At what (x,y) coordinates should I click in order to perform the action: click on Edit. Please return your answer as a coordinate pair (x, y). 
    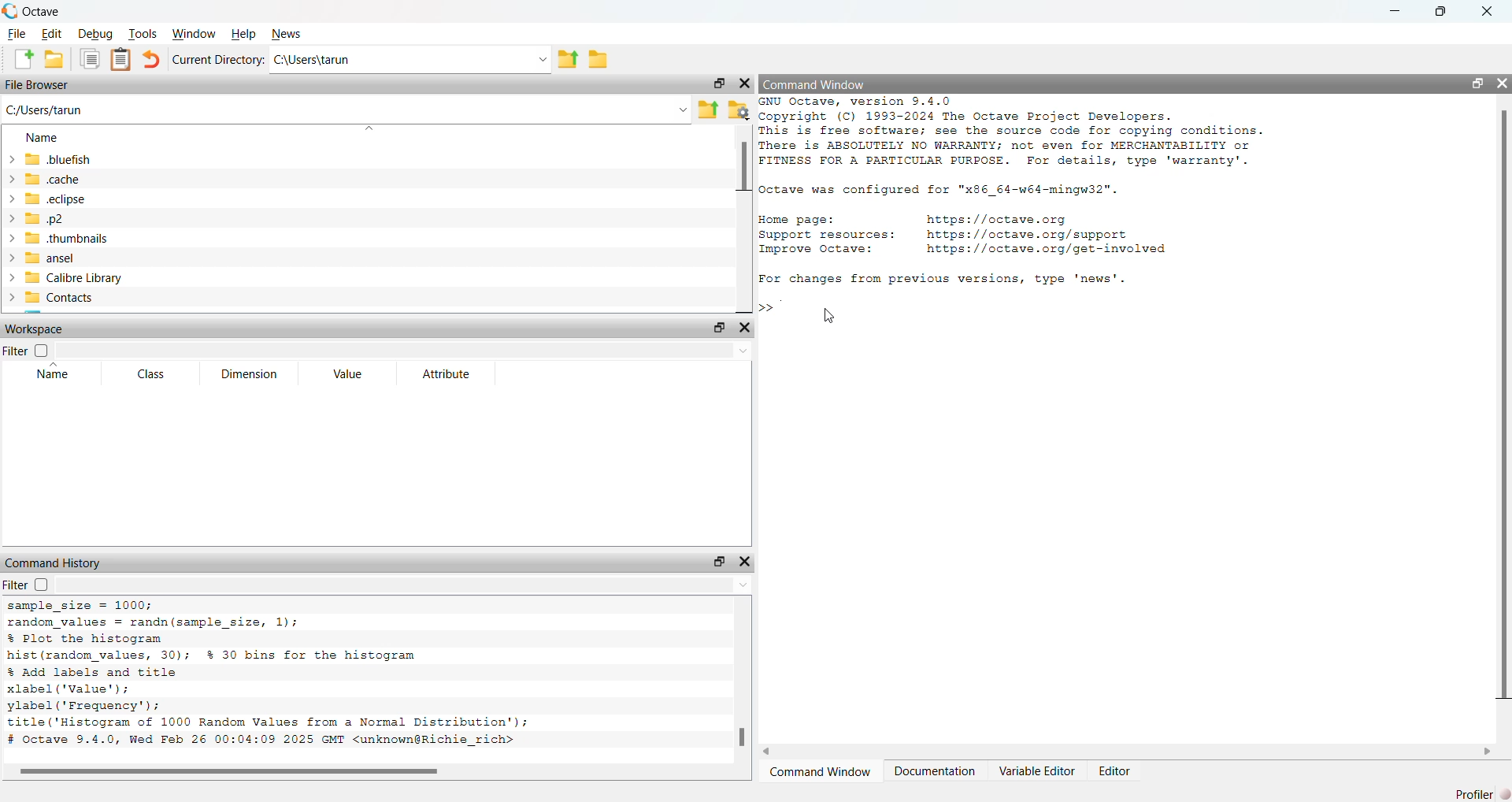
    Looking at the image, I should click on (52, 34).